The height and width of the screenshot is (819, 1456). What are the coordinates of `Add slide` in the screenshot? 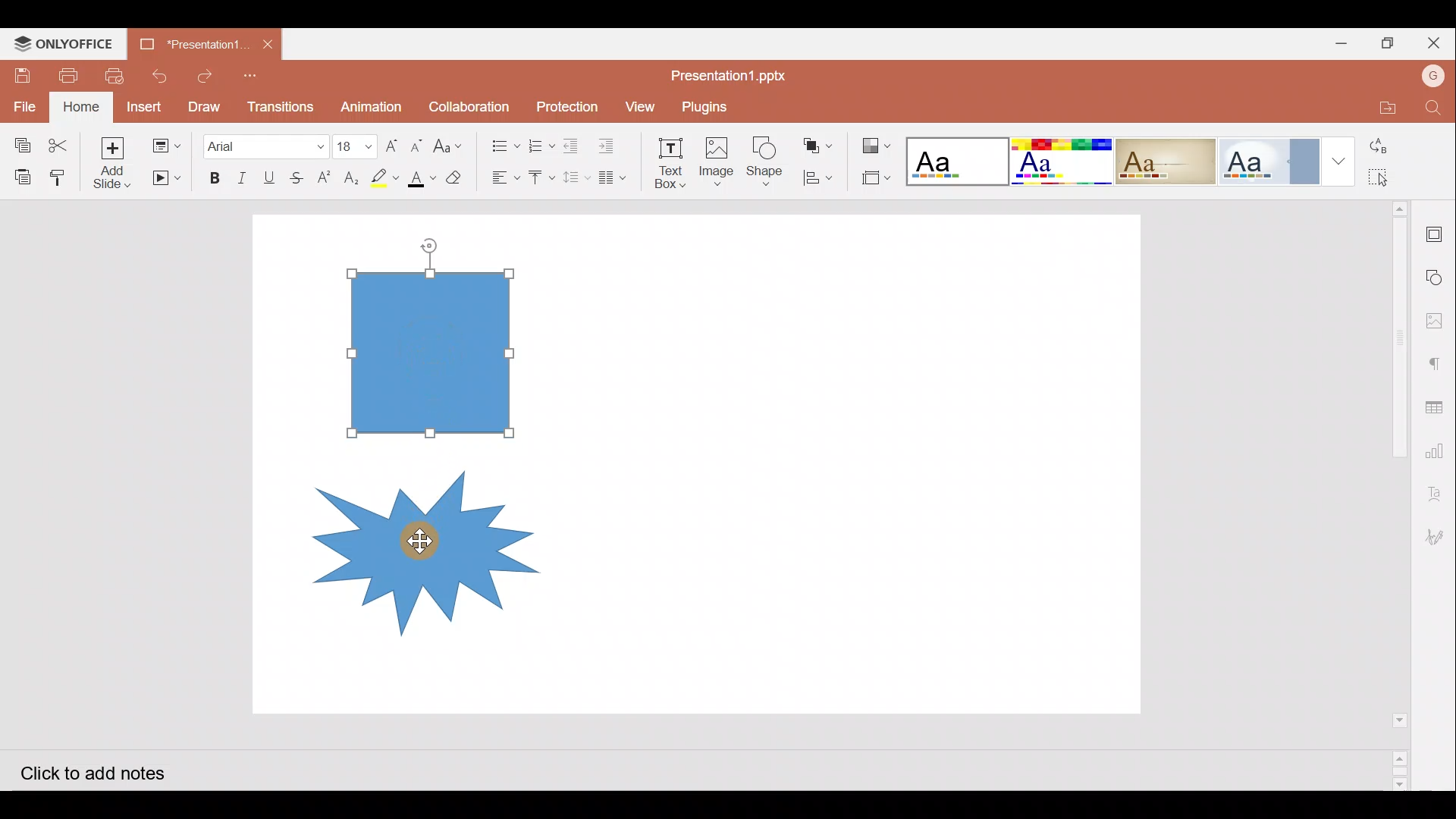 It's located at (111, 162).